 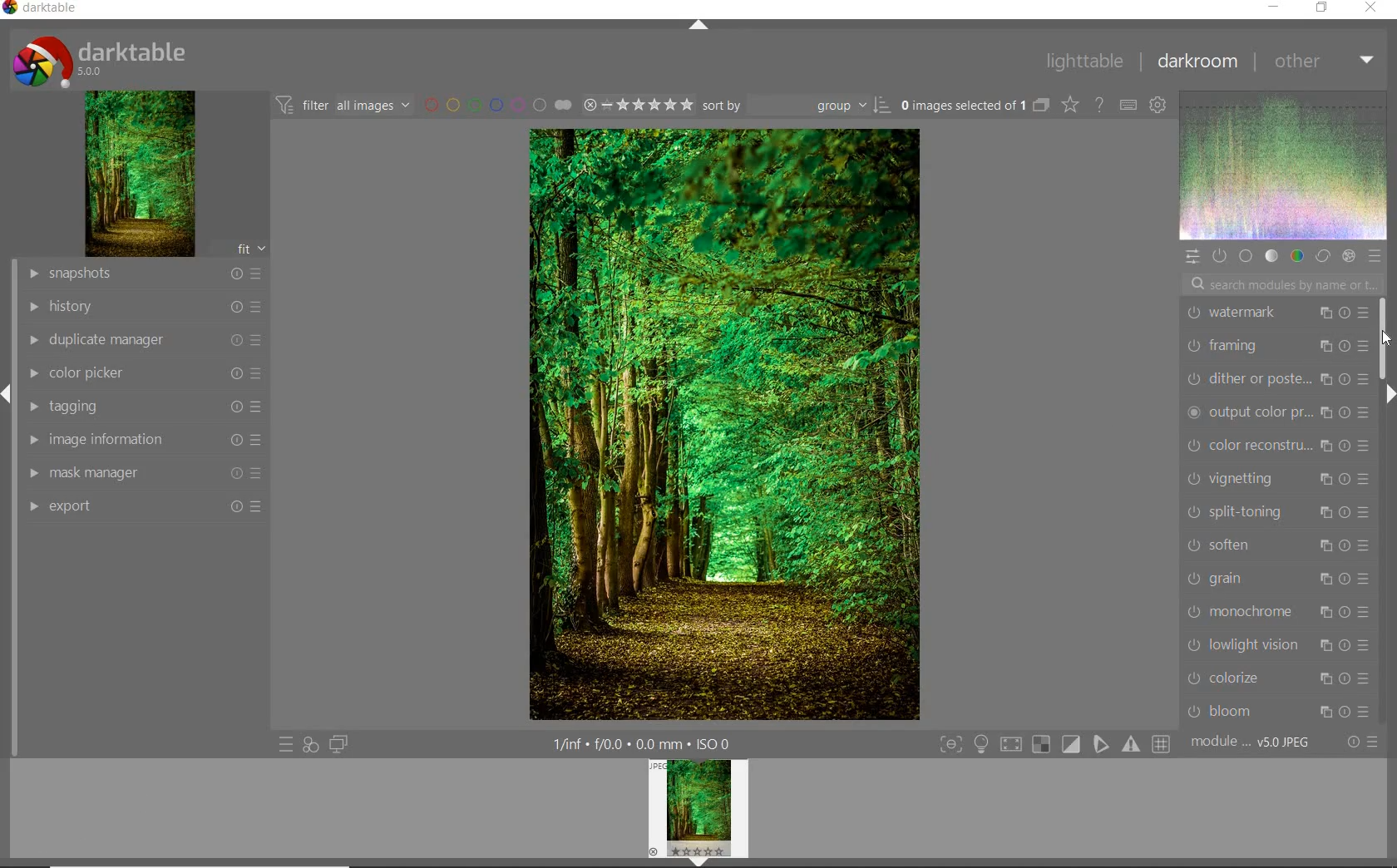 What do you see at coordinates (1363, 742) in the screenshot?
I see `RESET OR PRESET & PREFERENCE` at bounding box center [1363, 742].